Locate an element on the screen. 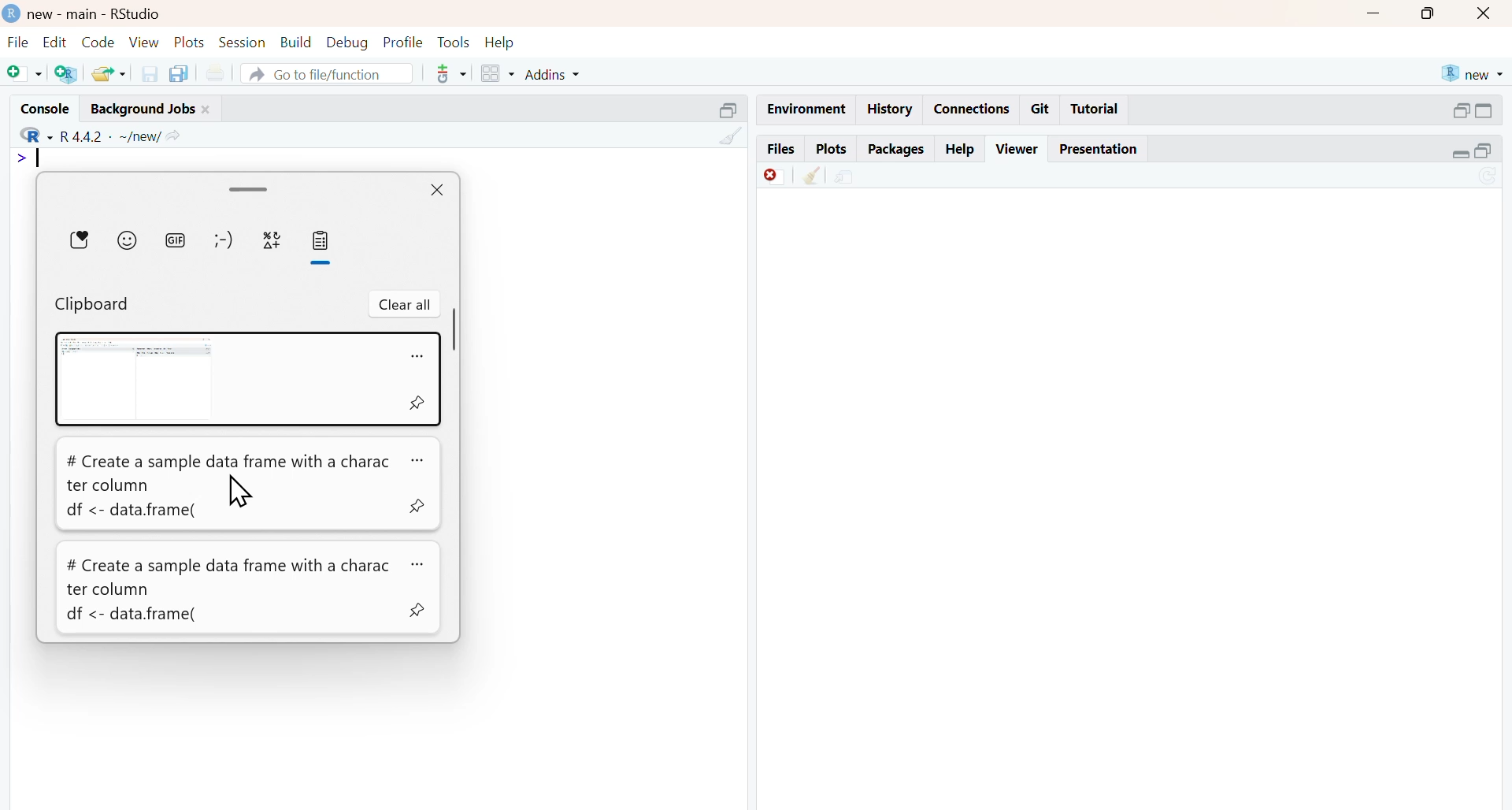 Image resolution: width=1512 pixels, height=810 pixels. > is located at coordinates (21, 158).